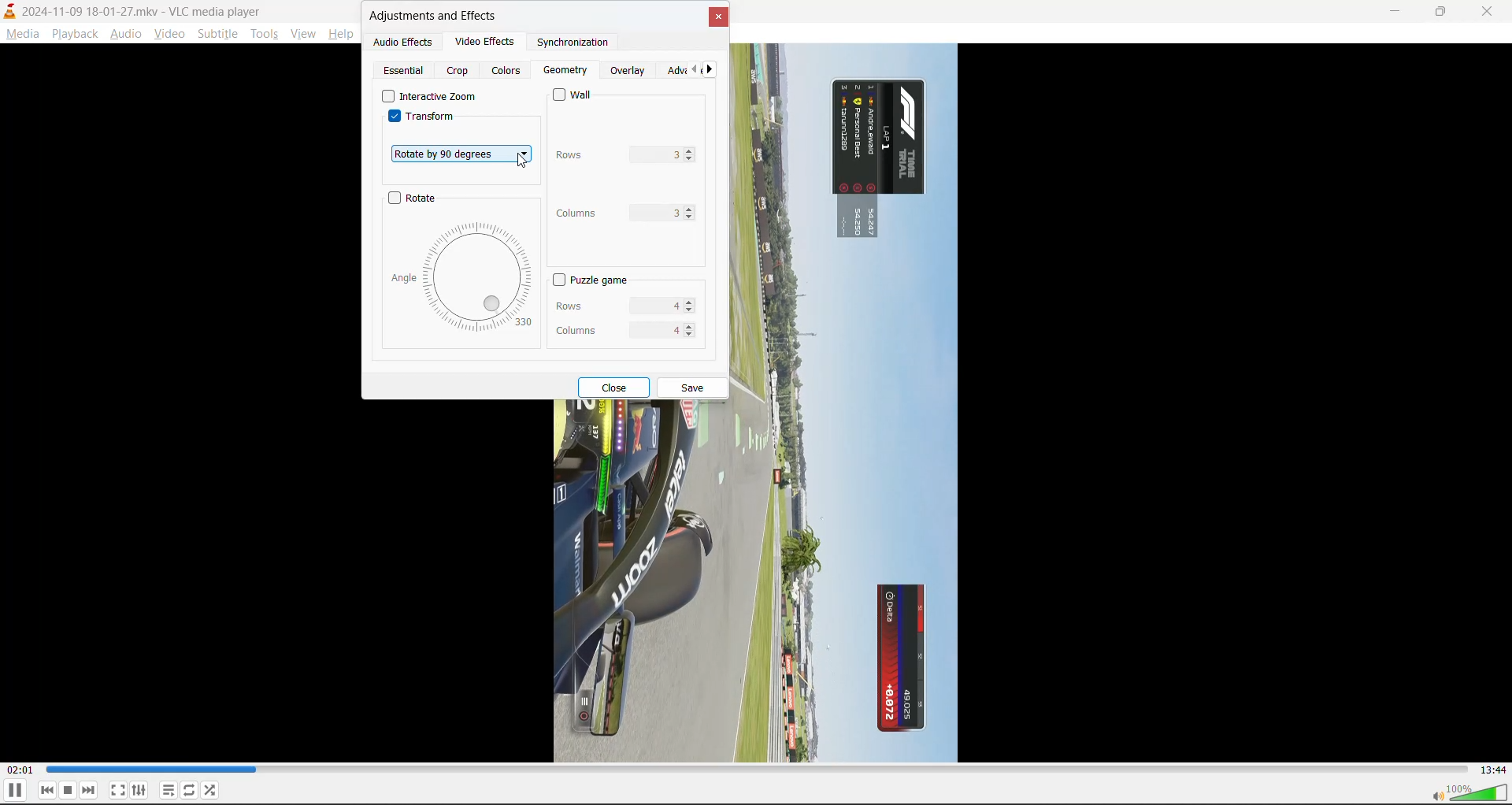 The height and width of the screenshot is (805, 1512). I want to click on columns, so click(608, 213).